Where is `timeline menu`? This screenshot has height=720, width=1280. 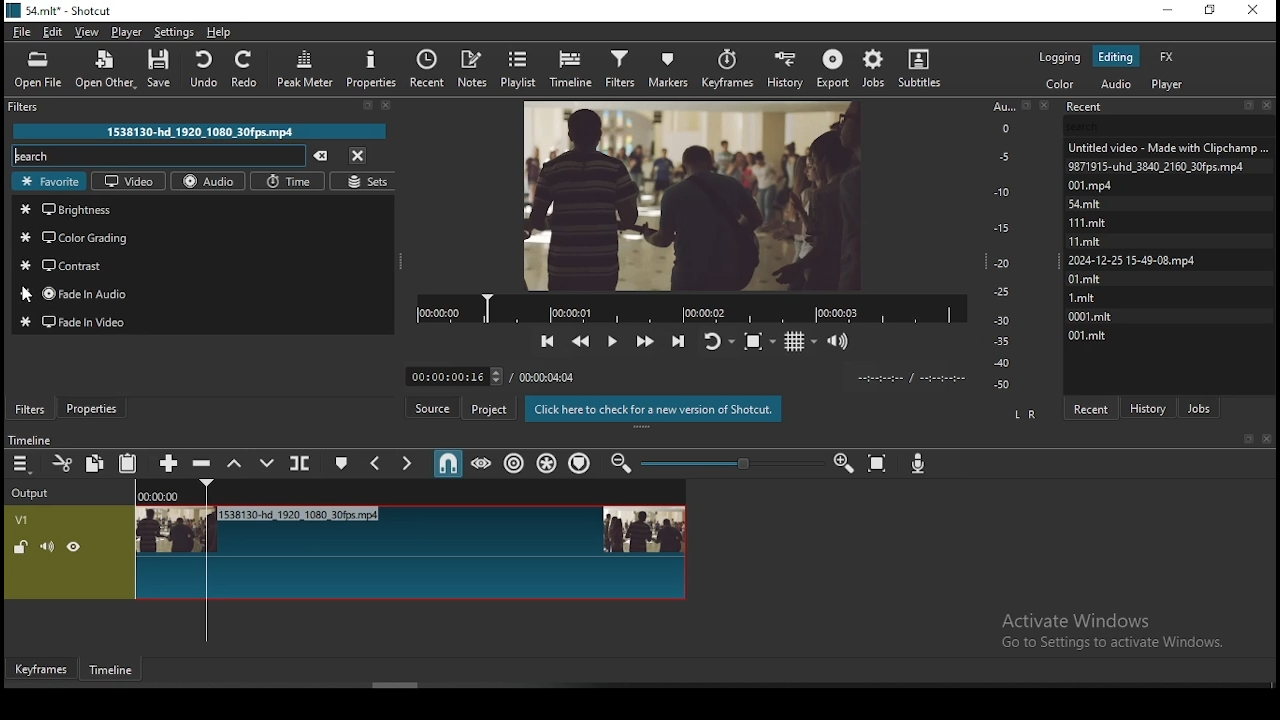
timeline menu is located at coordinates (22, 466).